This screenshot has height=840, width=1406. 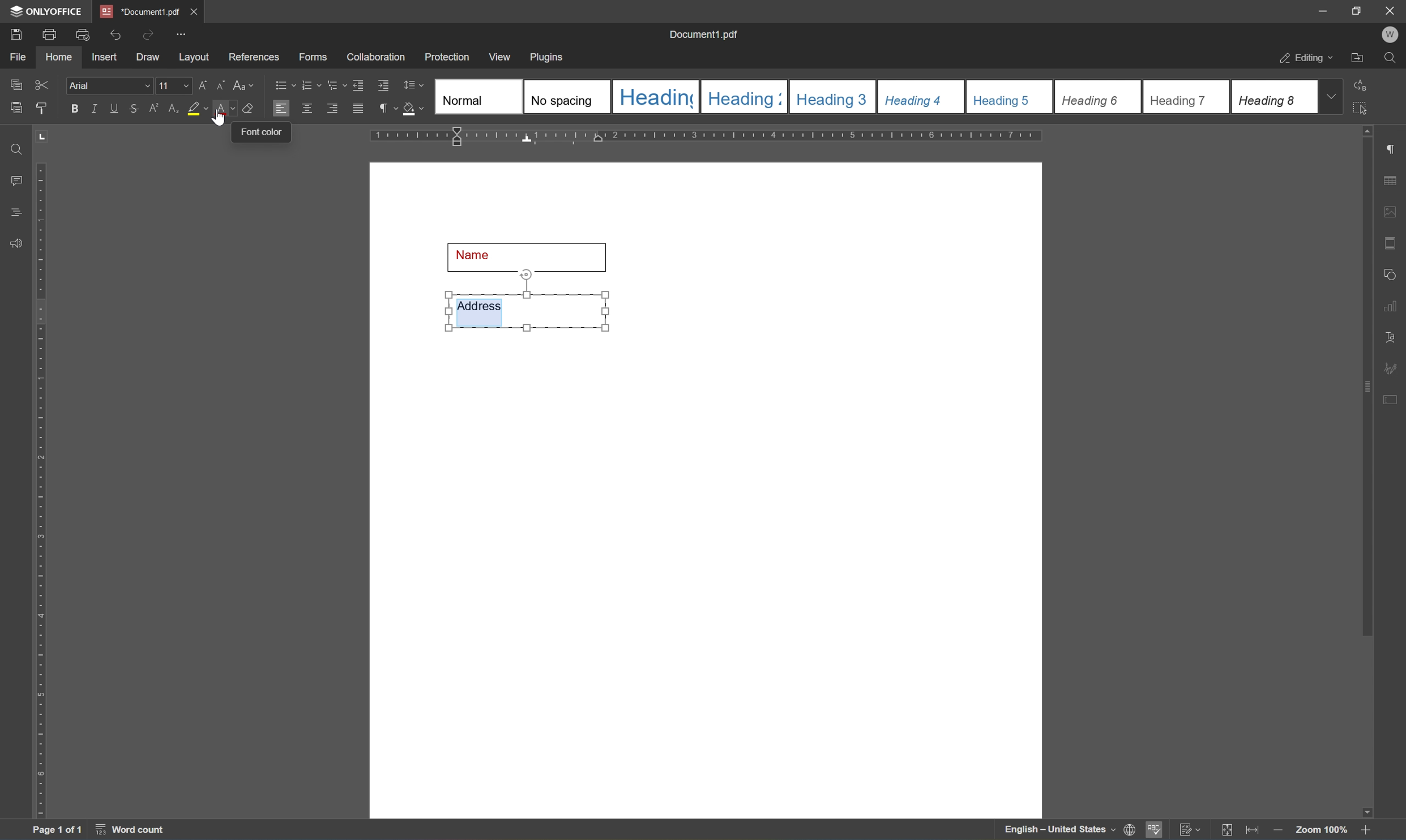 I want to click on headings, so click(x=18, y=209).